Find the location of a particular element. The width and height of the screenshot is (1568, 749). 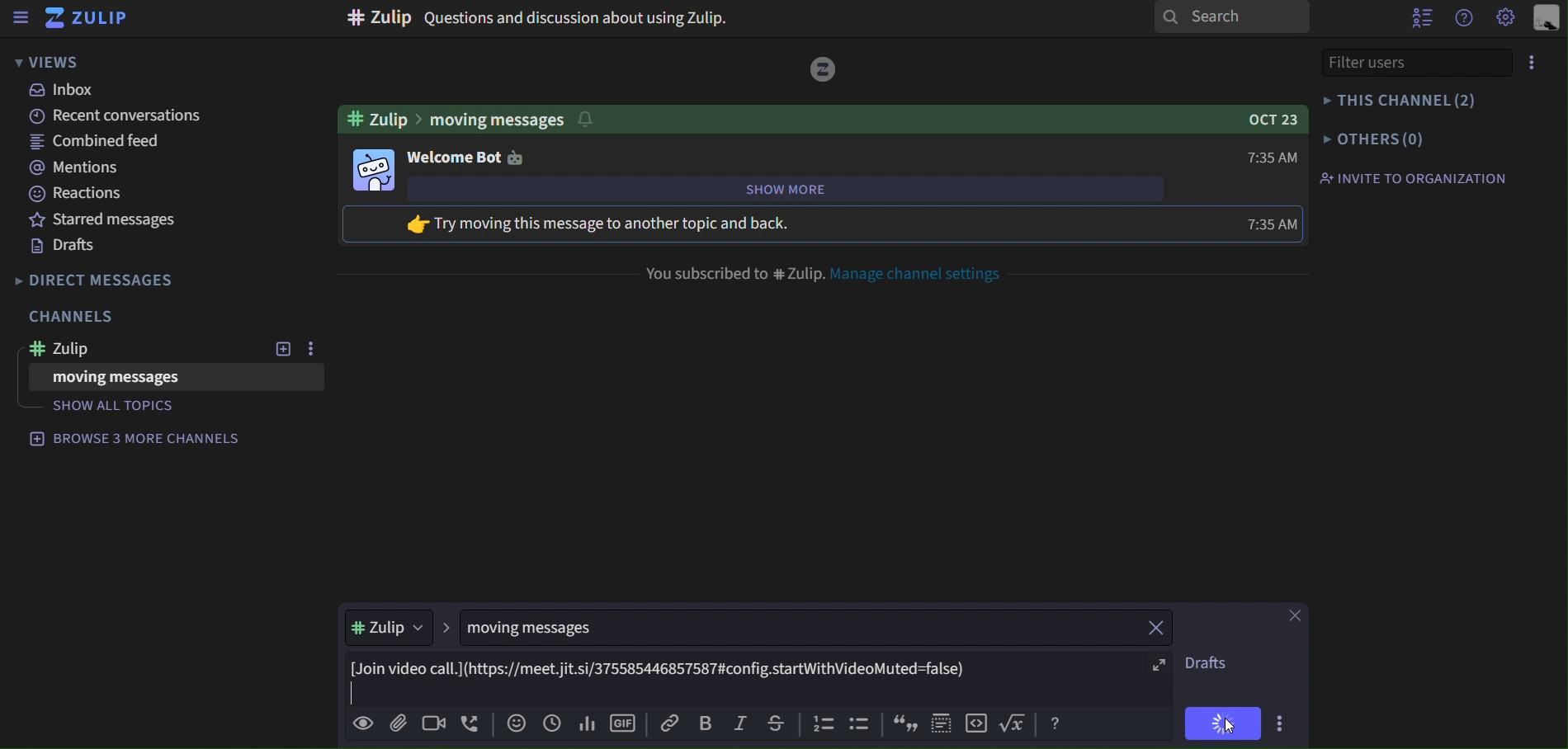

add global time is located at coordinates (550, 726).